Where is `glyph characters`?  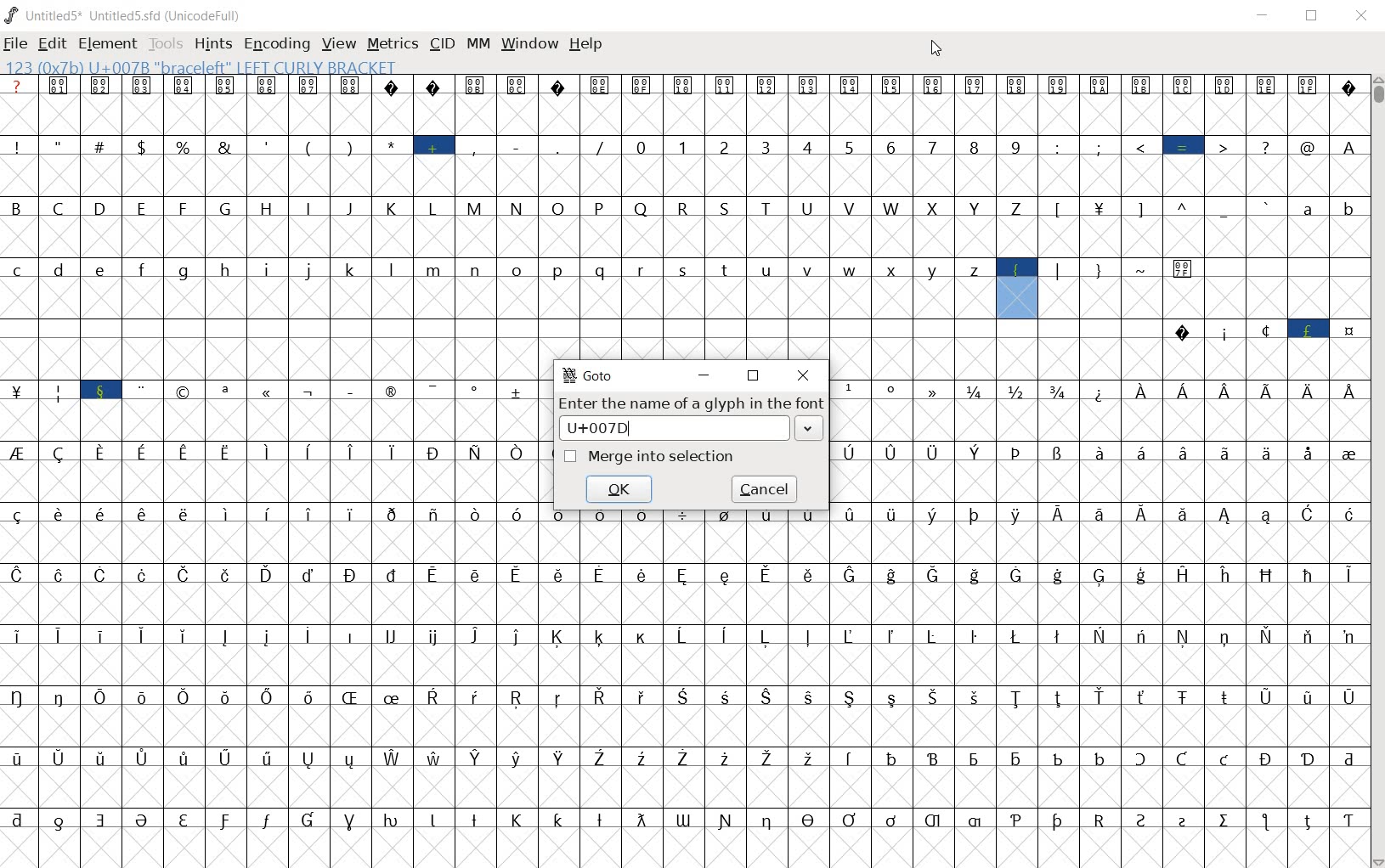 glyph characters is located at coordinates (953, 715).